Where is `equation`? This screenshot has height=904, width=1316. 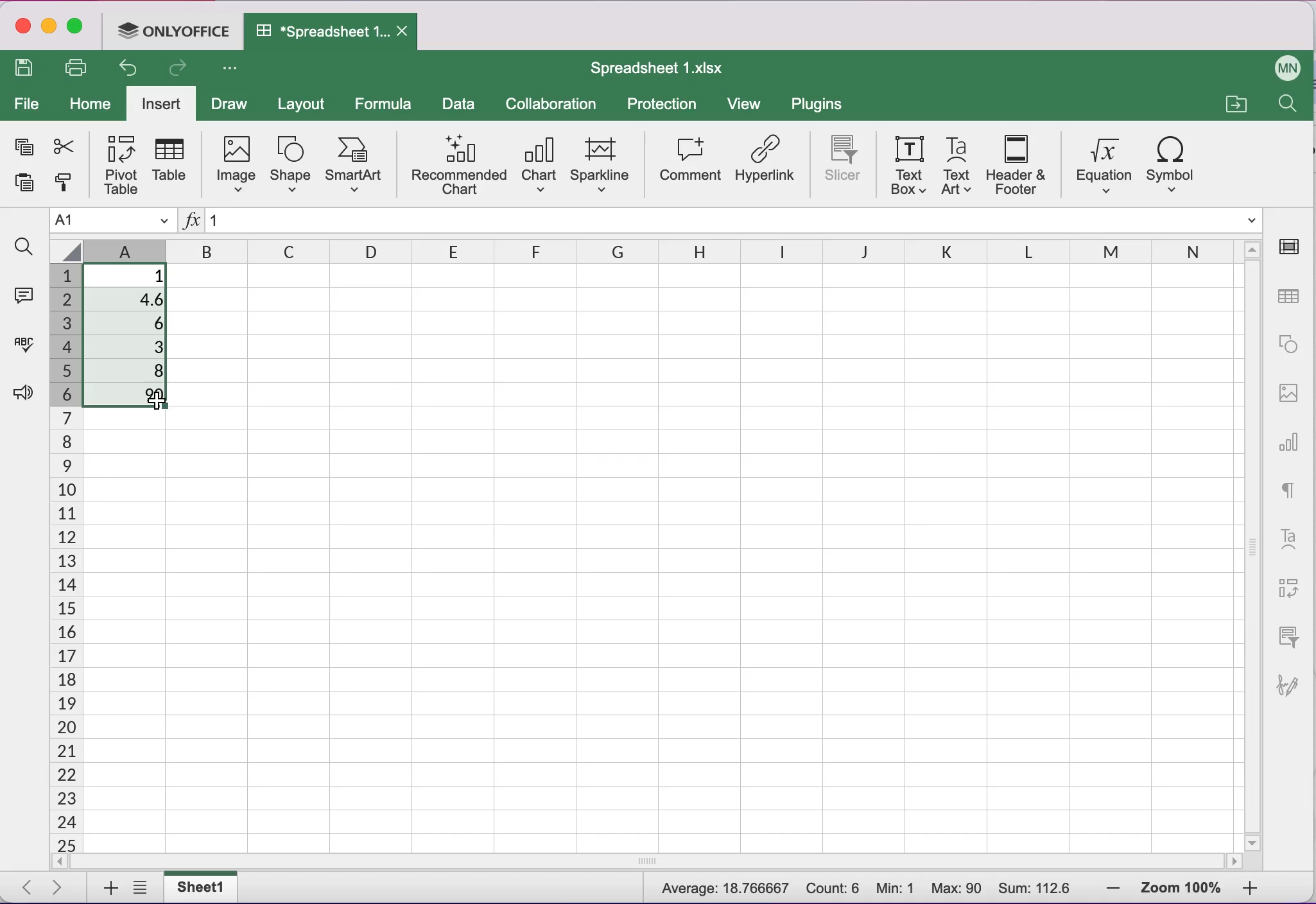
equation is located at coordinates (1100, 166).